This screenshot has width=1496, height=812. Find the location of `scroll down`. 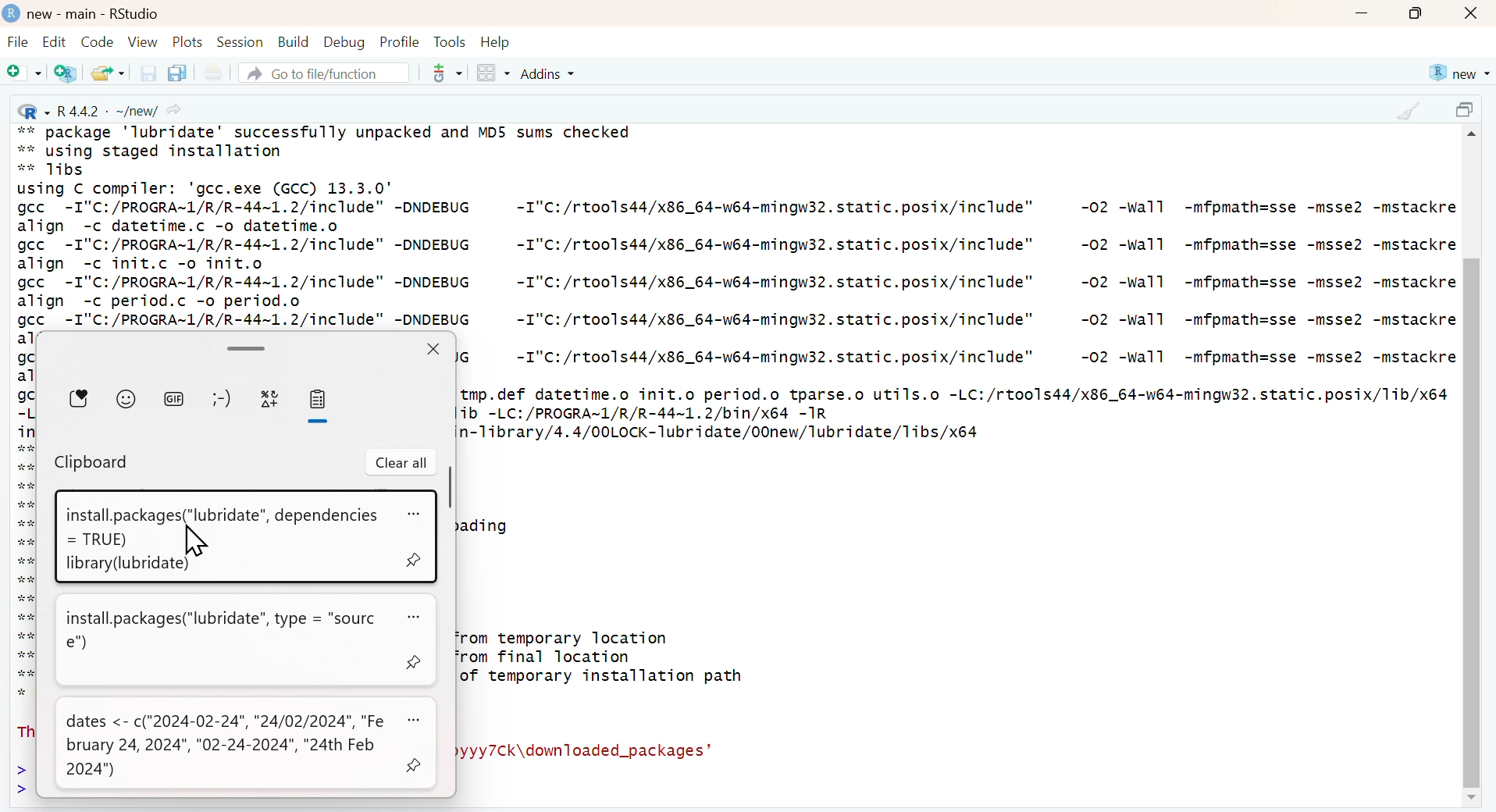

scroll down is located at coordinates (1469, 799).